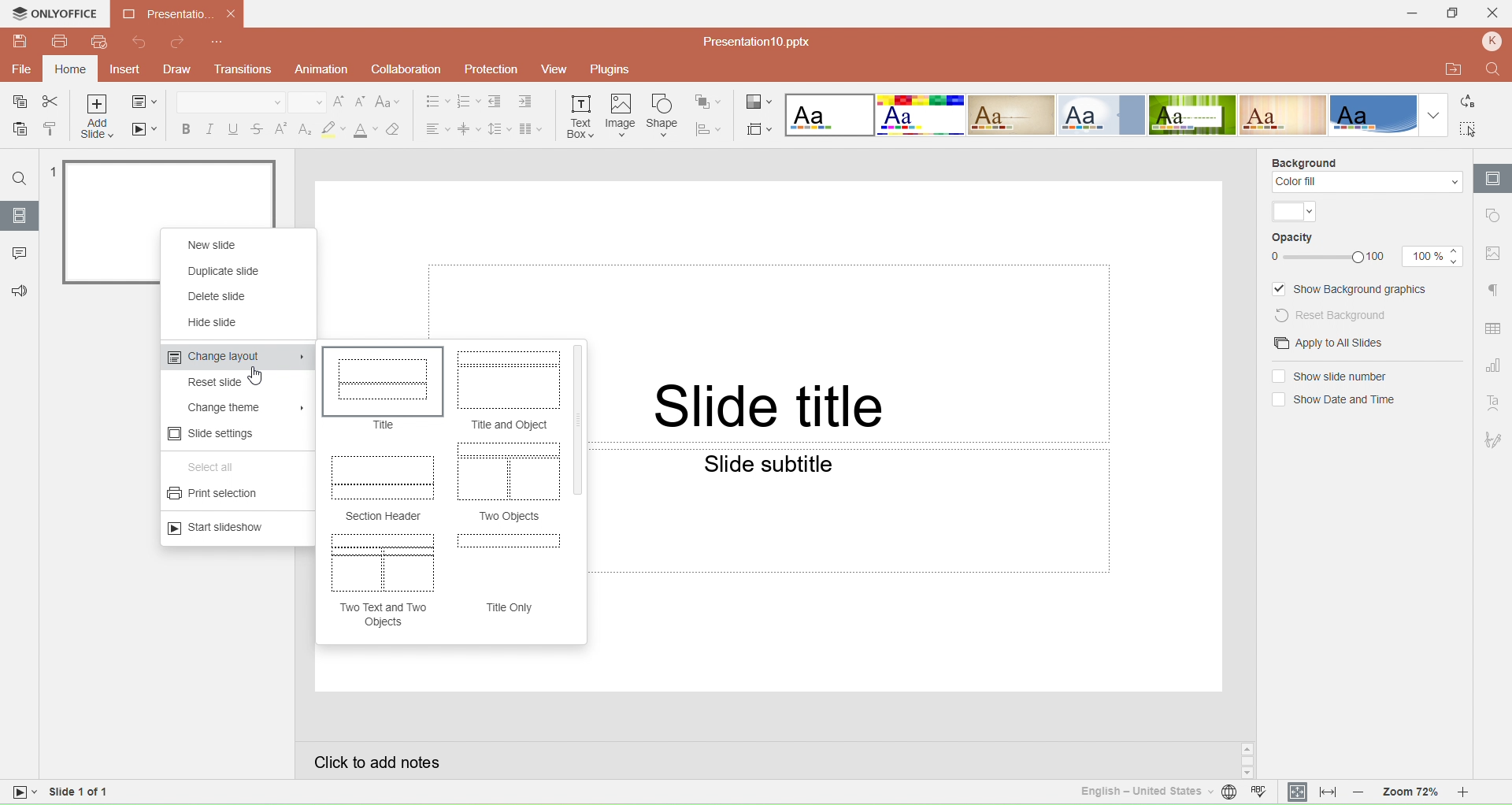  What do you see at coordinates (1373, 114) in the screenshot?
I see `Office` at bounding box center [1373, 114].